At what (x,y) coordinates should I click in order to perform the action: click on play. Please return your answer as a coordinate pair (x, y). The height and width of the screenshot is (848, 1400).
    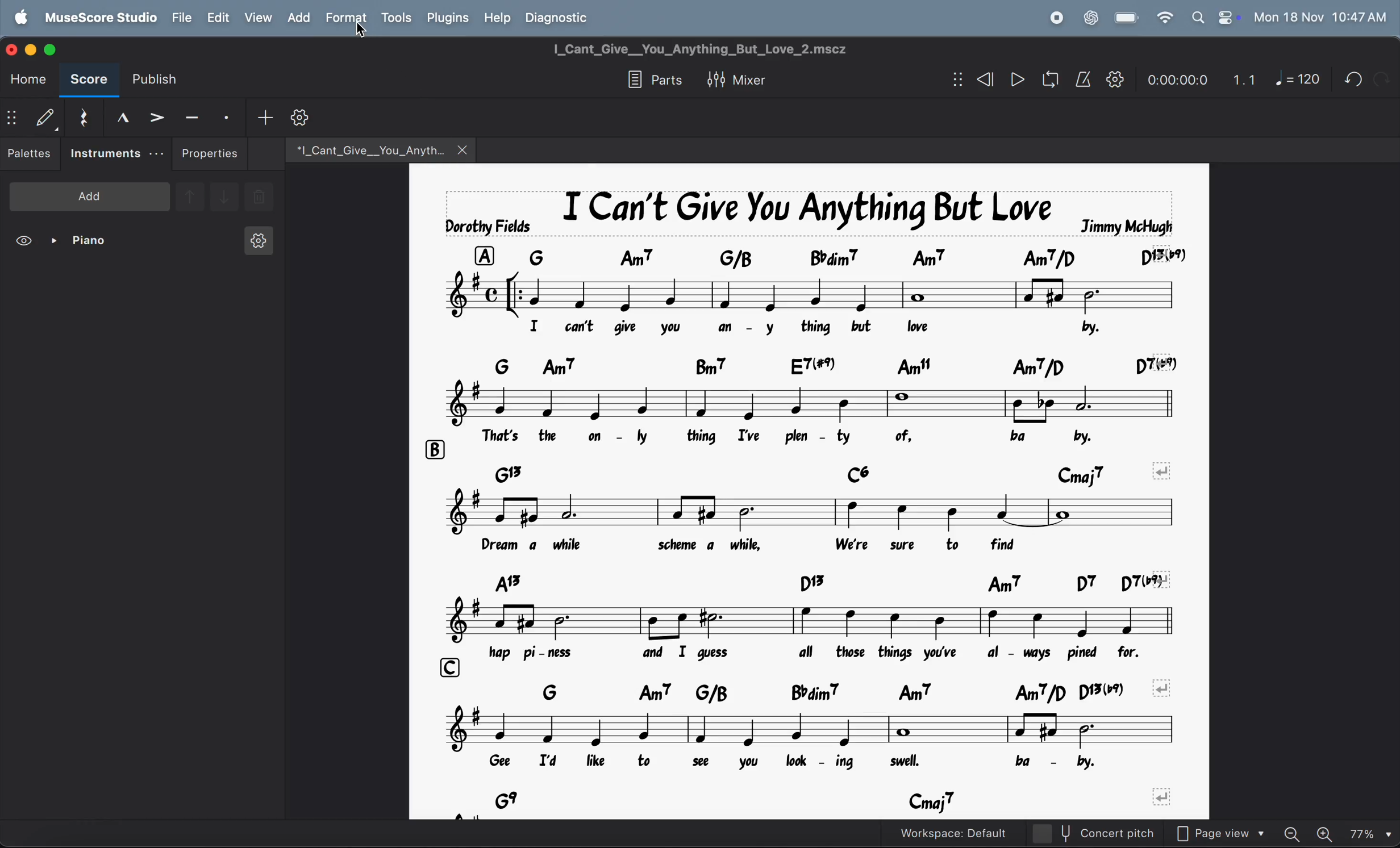
    Looking at the image, I should click on (1017, 81).